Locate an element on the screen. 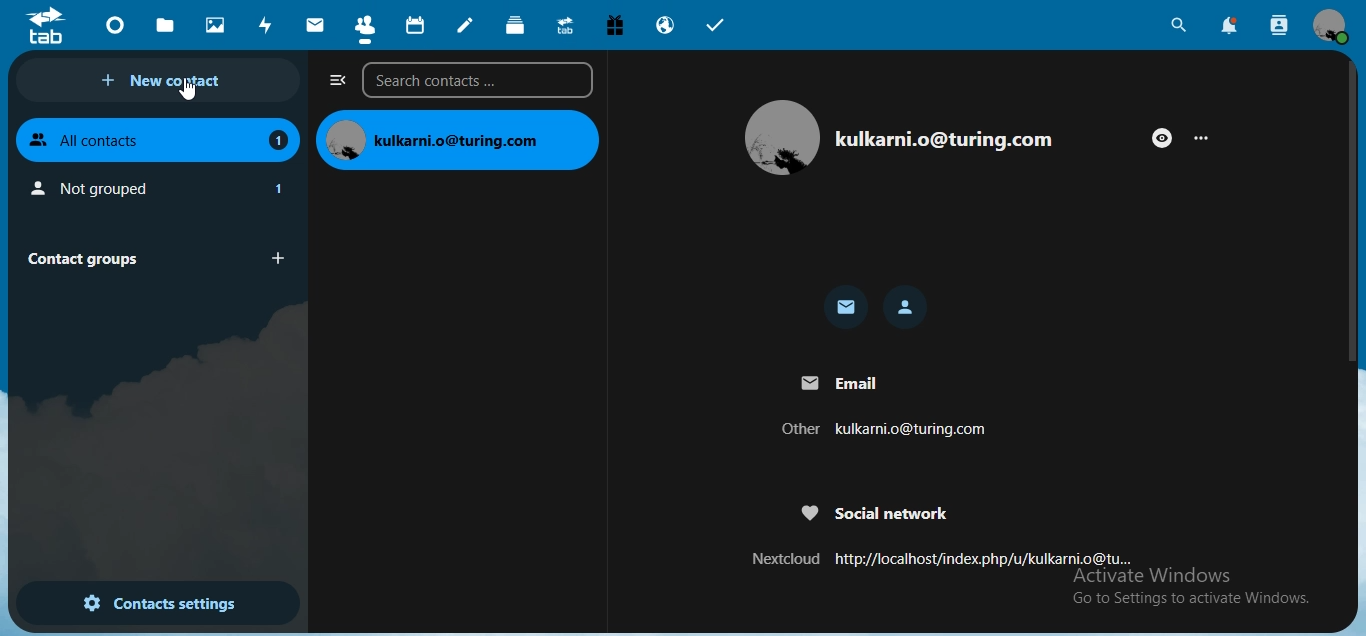 This screenshot has width=1366, height=636. cursor is located at coordinates (187, 93).